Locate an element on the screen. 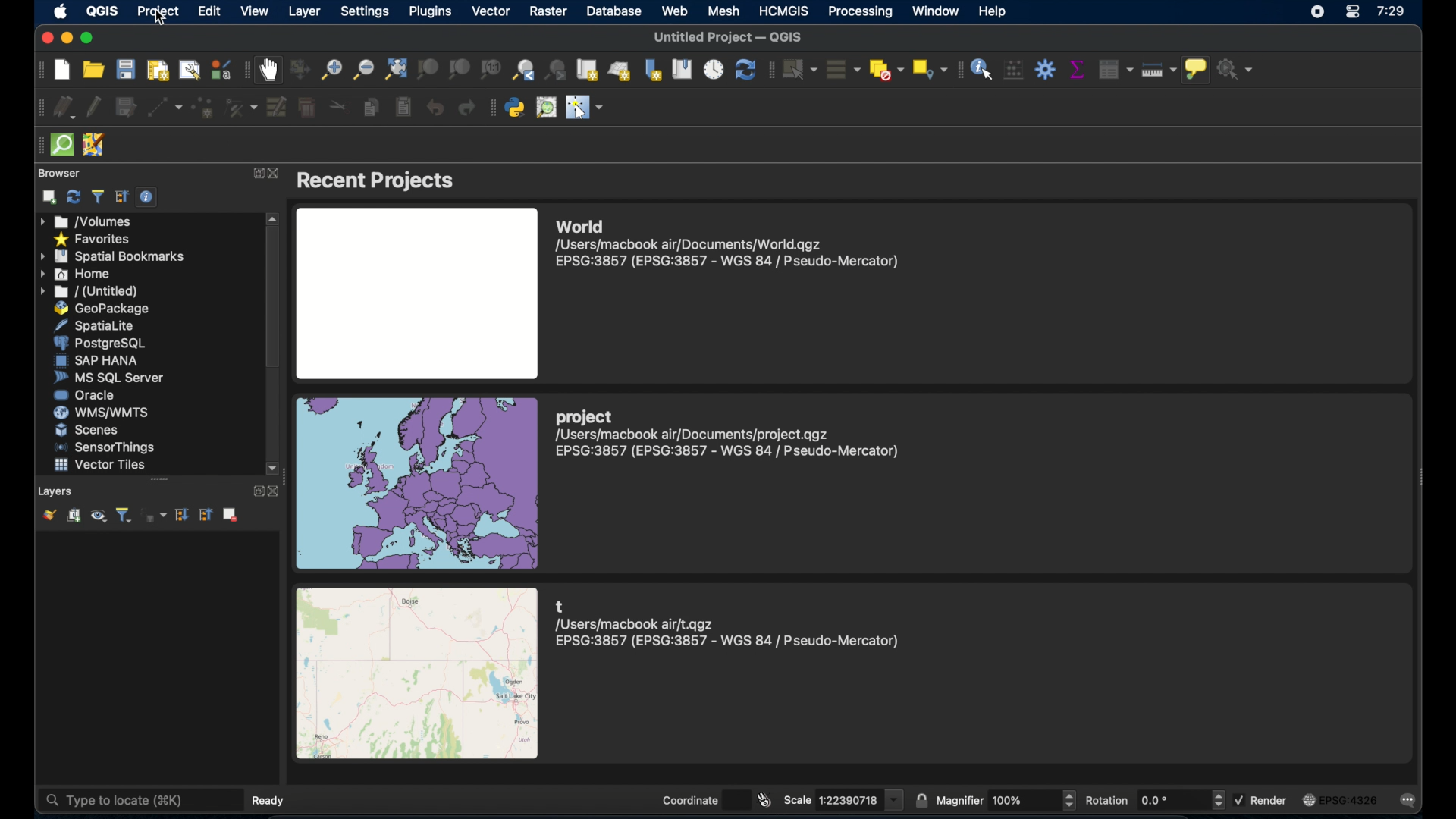  collapse all is located at coordinates (121, 196).